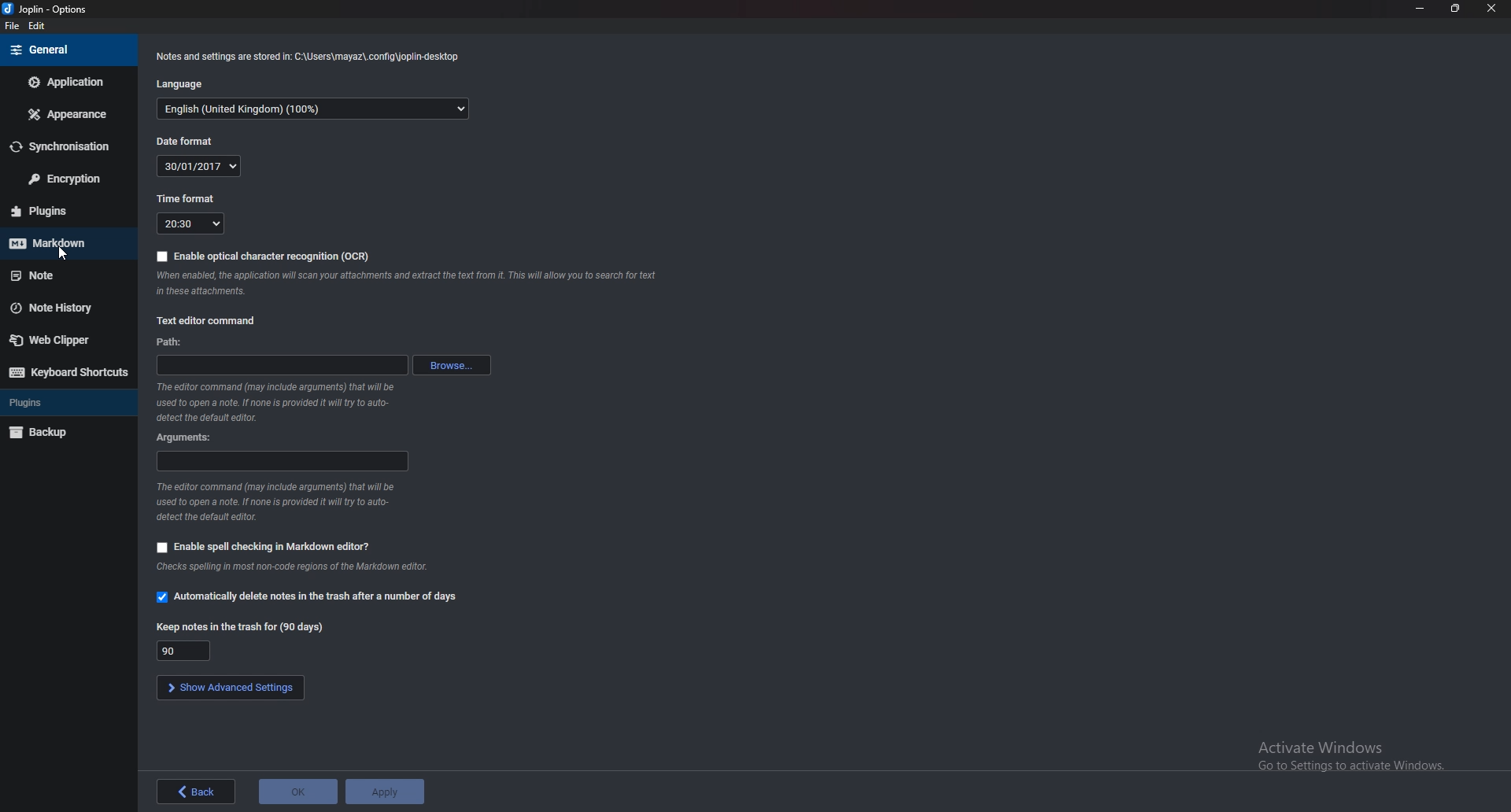 The width and height of the screenshot is (1511, 812). I want to click on path, so click(283, 364).